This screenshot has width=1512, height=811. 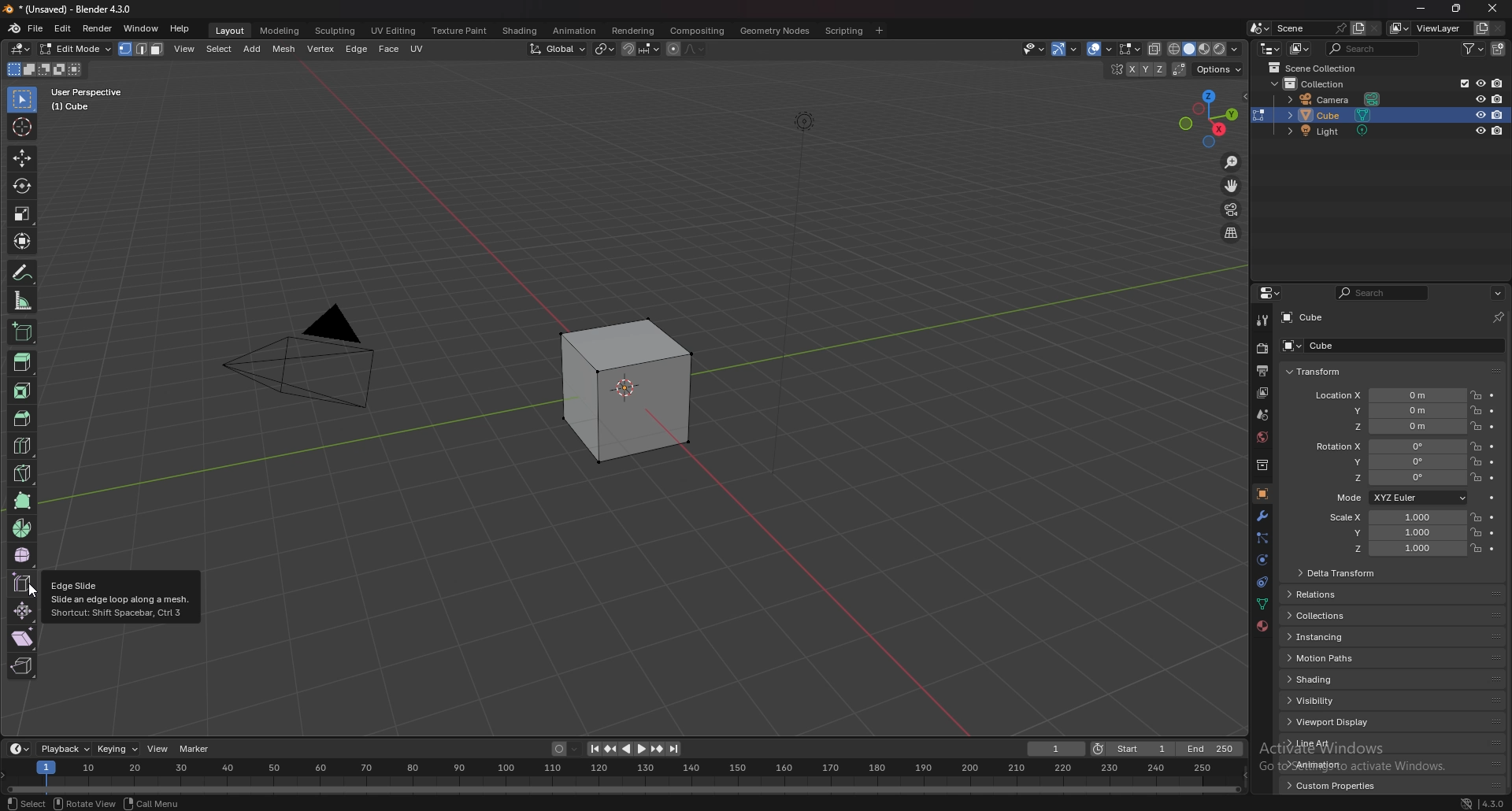 I want to click on relations, so click(x=1325, y=595).